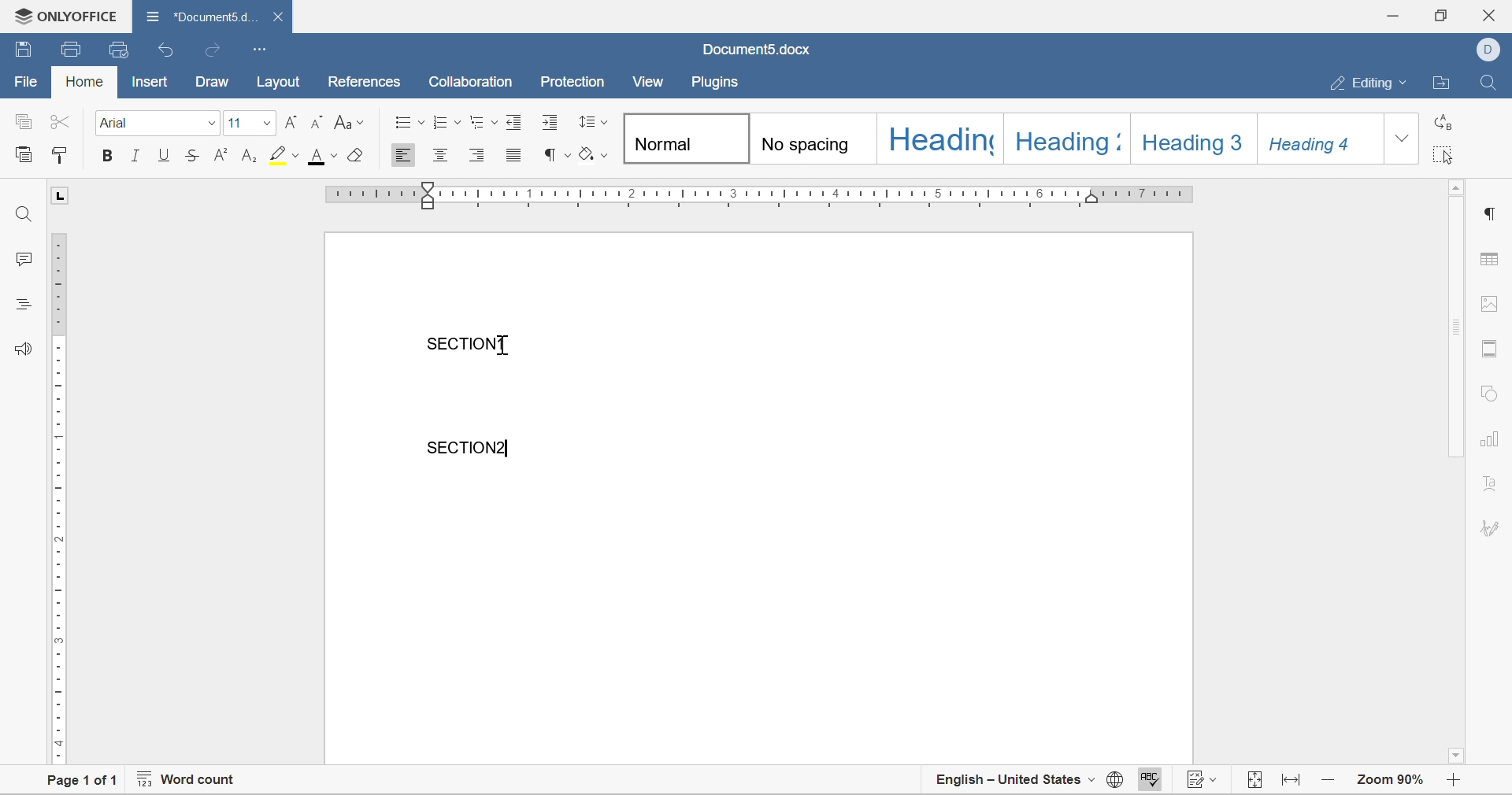 The height and width of the screenshot is (795, 1512). I want to click on change case, so click(349, 121).